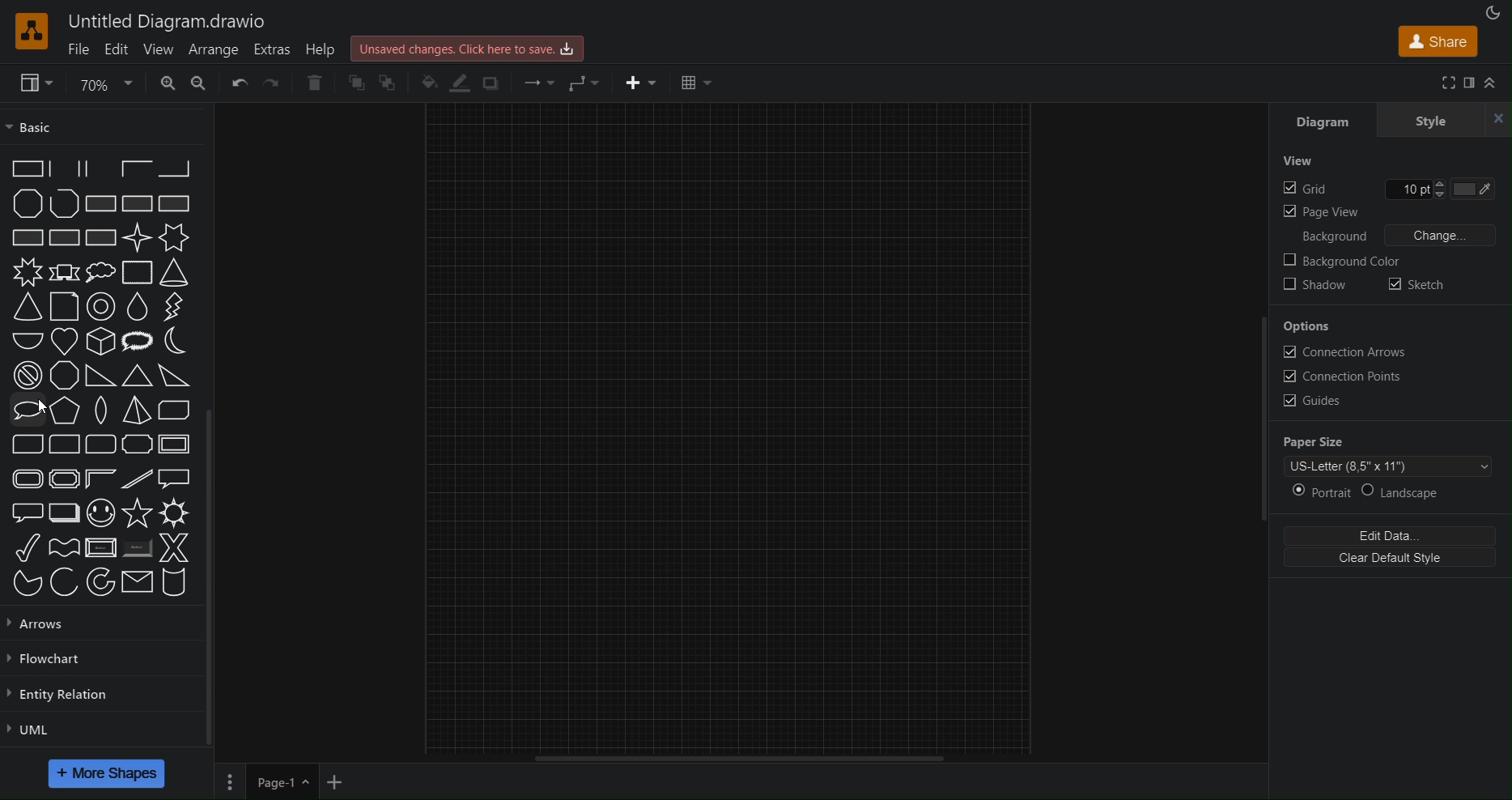 This screenshot has width=1512, height=800. What do you see at coordinates (65, 341) in the screenshot?
I see `Heart` at bounding box center [65, 341].